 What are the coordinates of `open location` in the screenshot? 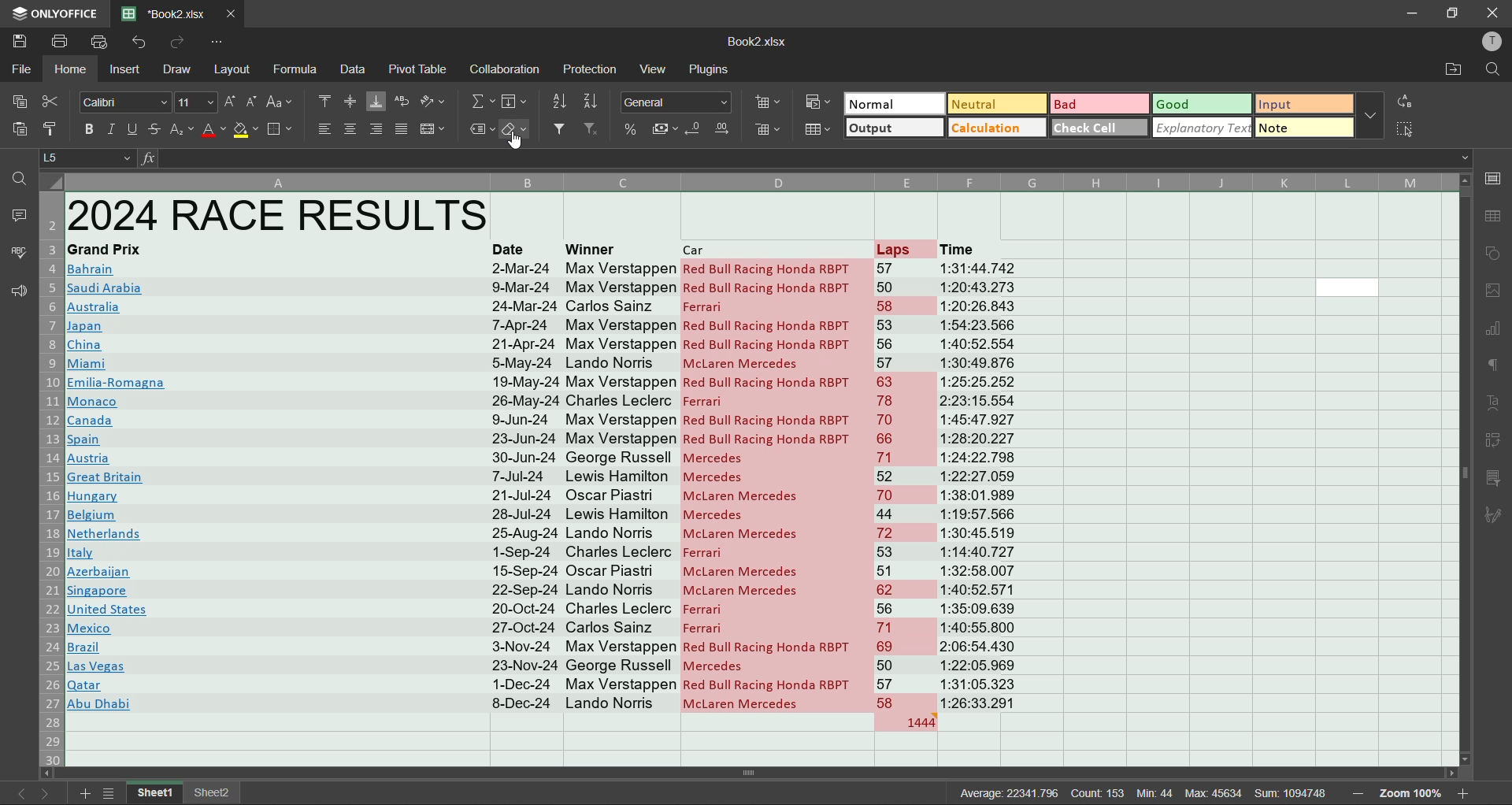 It's located at (1452, 69).